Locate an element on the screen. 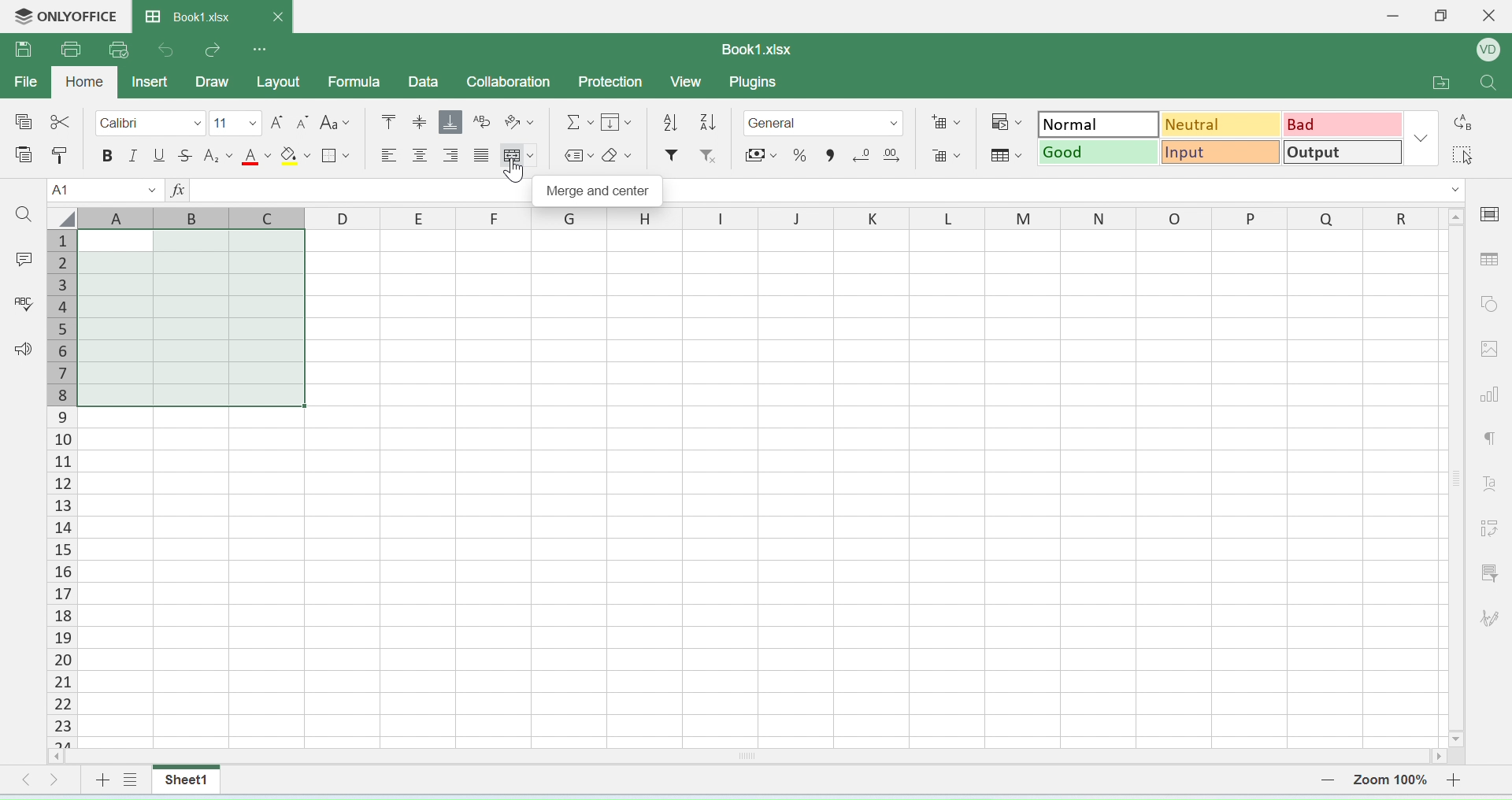   is located at coordinates (258, 157).